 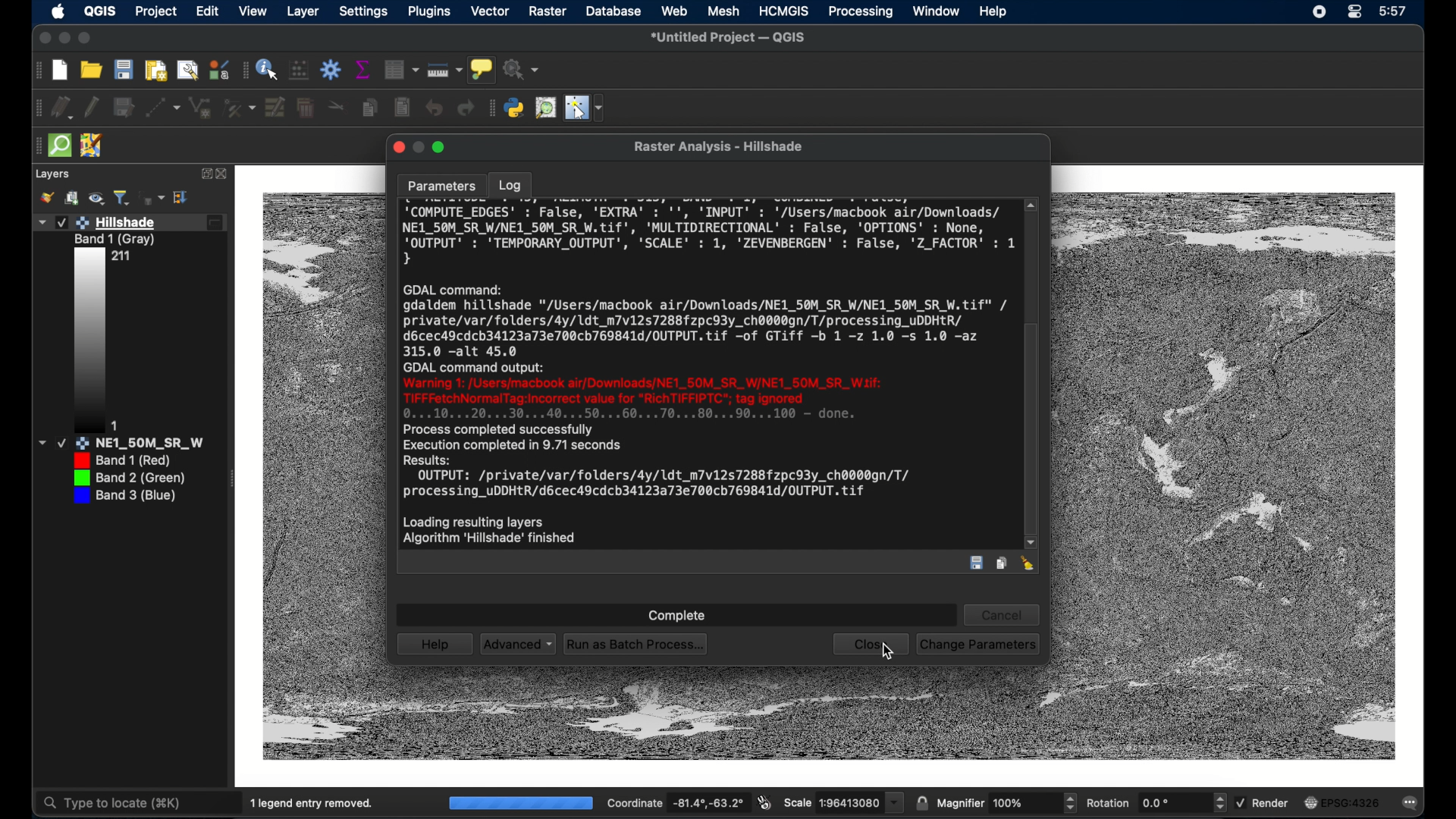 I want to click on 1 legend entry removed, so click(x=314, y=802).